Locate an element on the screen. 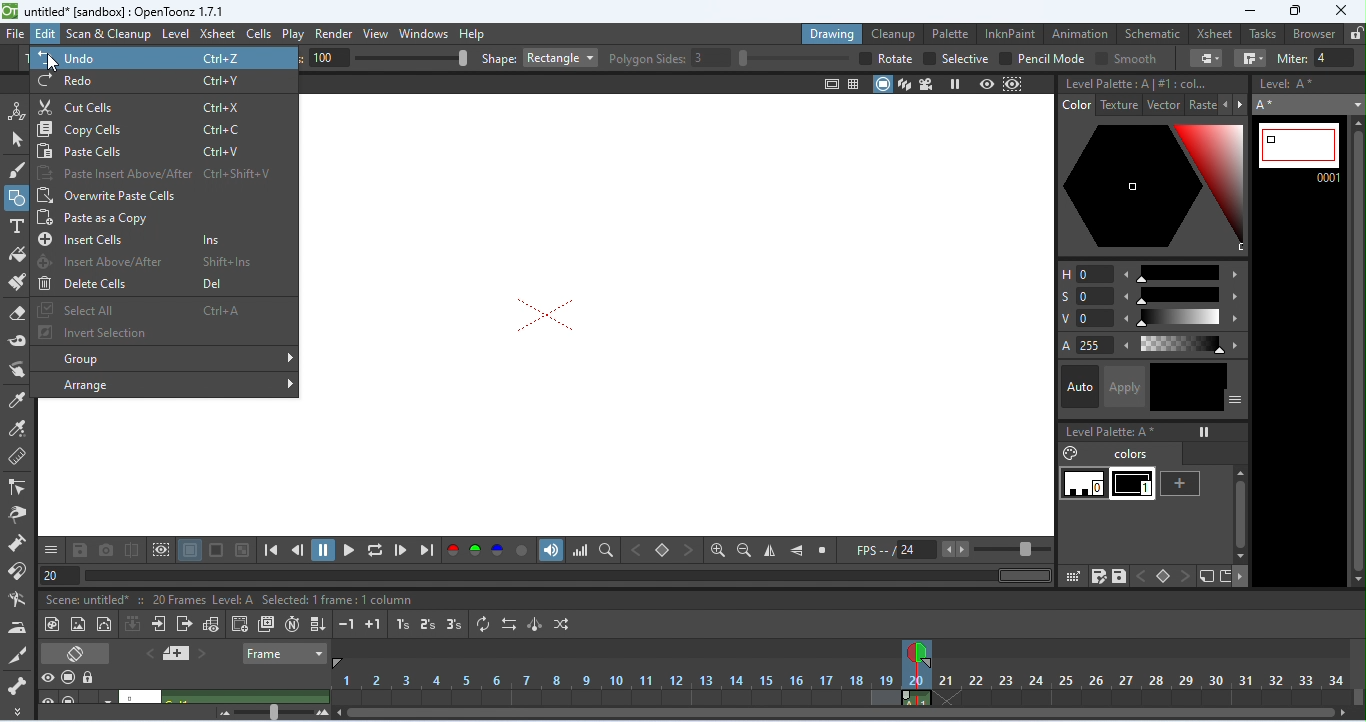  smooth is located at coordinates (1123, 59).